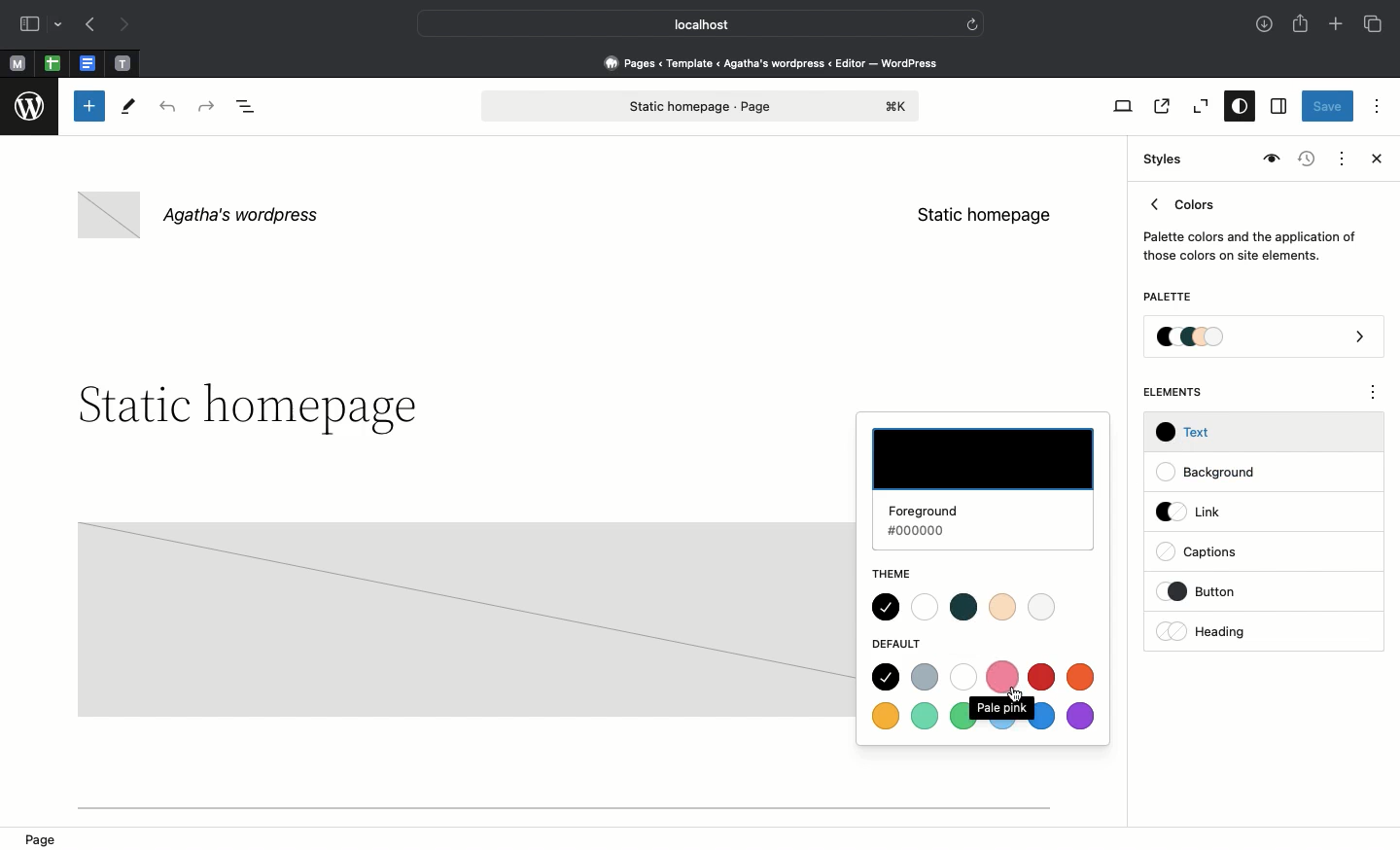 The height and width of the screenshot is (850, 1400). Describe the element at coordinates (202, 216) in the screenshot. I see `Wordpress name` at that location.